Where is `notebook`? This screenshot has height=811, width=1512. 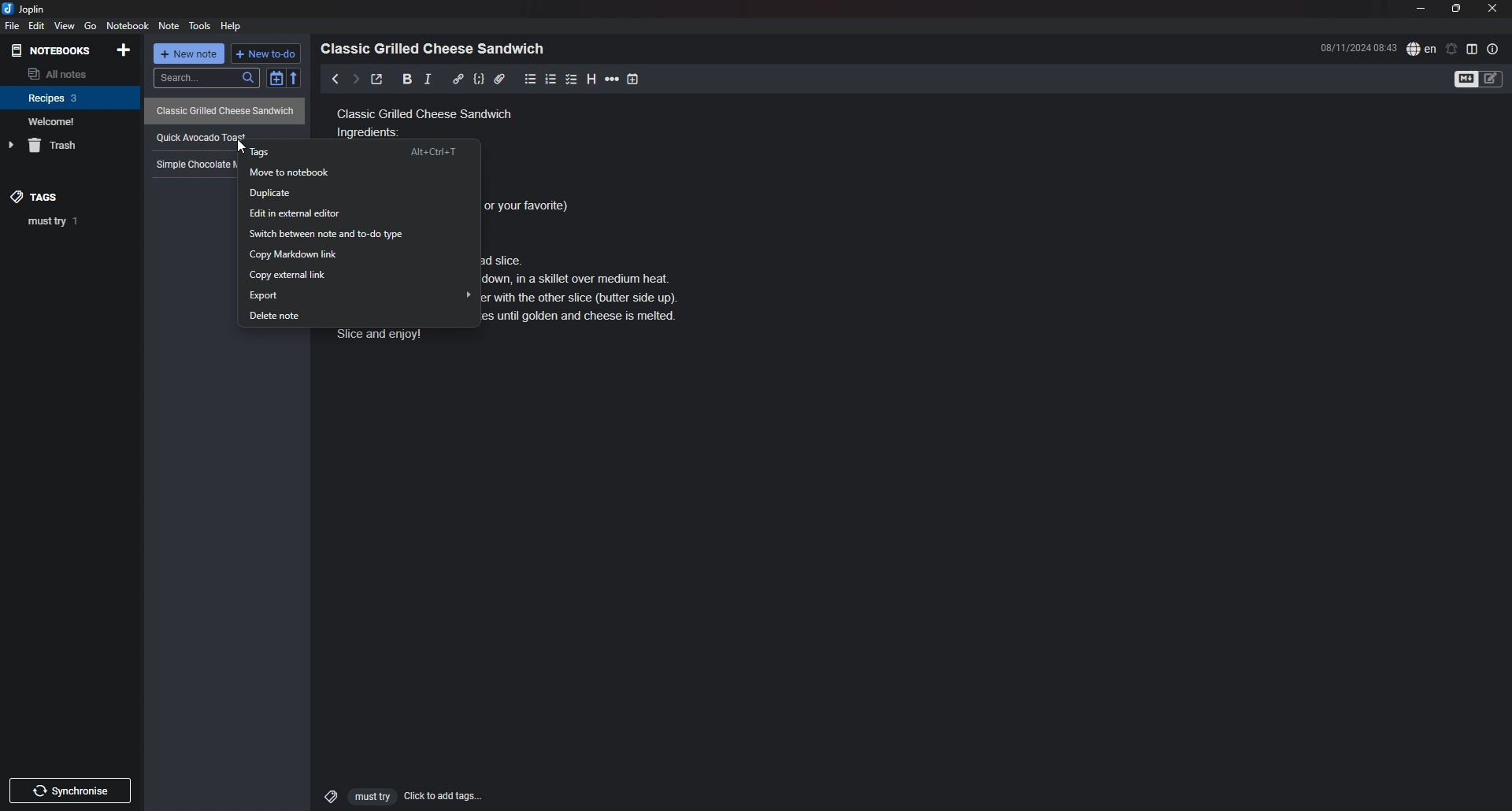
notebook is located at coordinates (69, 121).